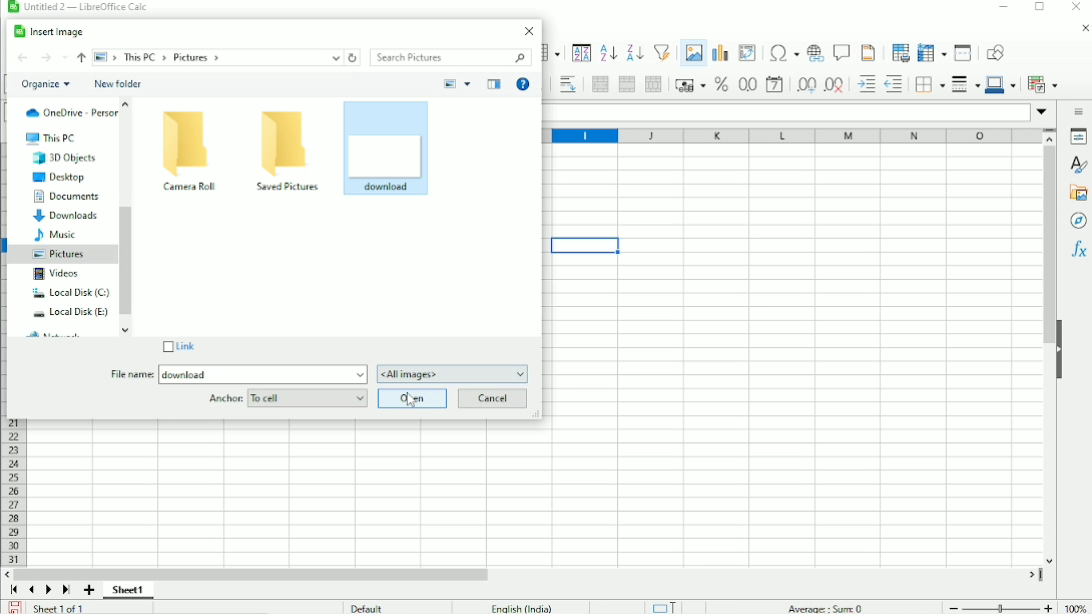 This screenshot has height=614, width=1092. I want to click on Column headings, so click(792, 135).